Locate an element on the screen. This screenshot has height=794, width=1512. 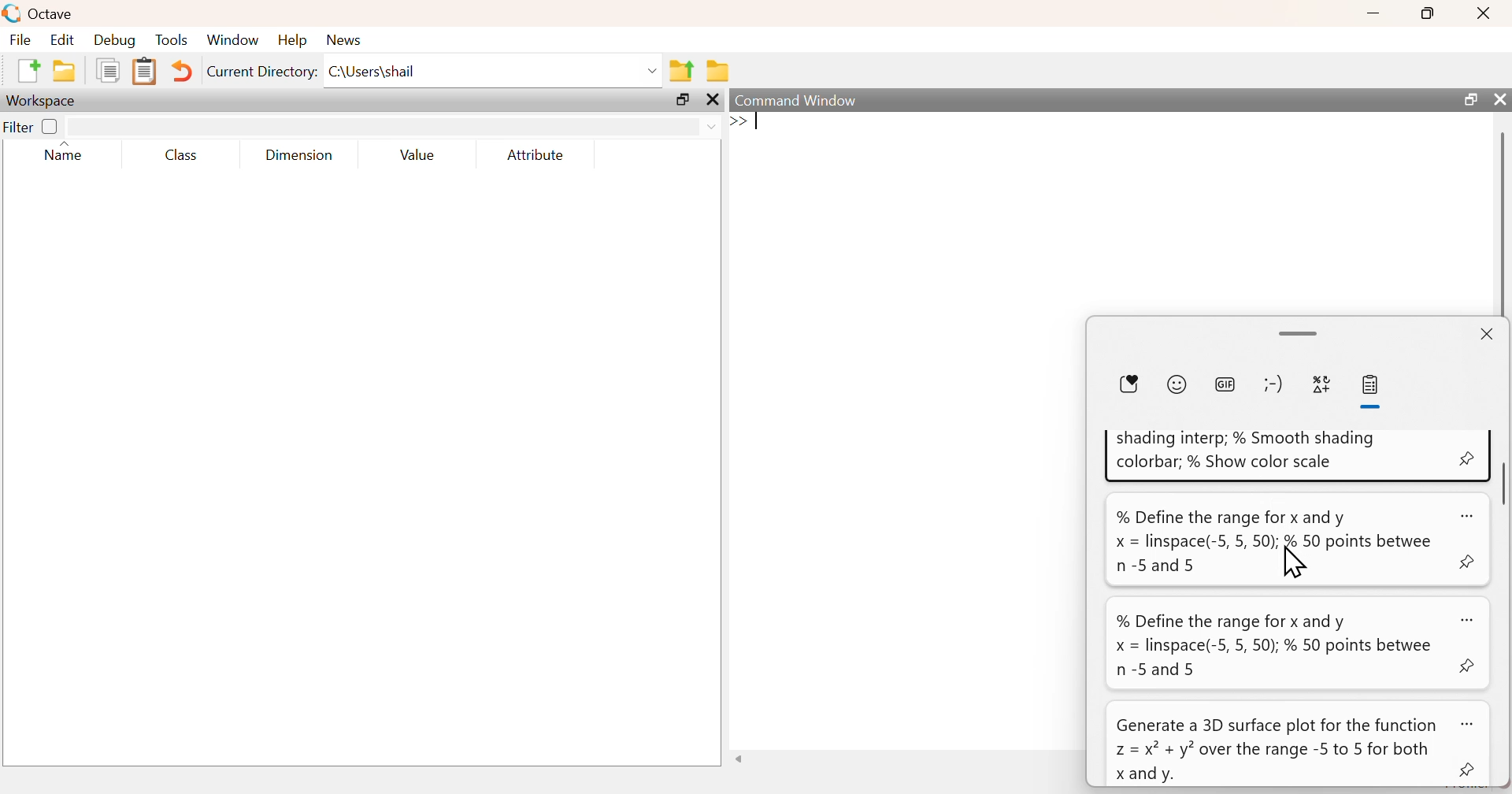
scroll left is located at coordinates (739, 759).